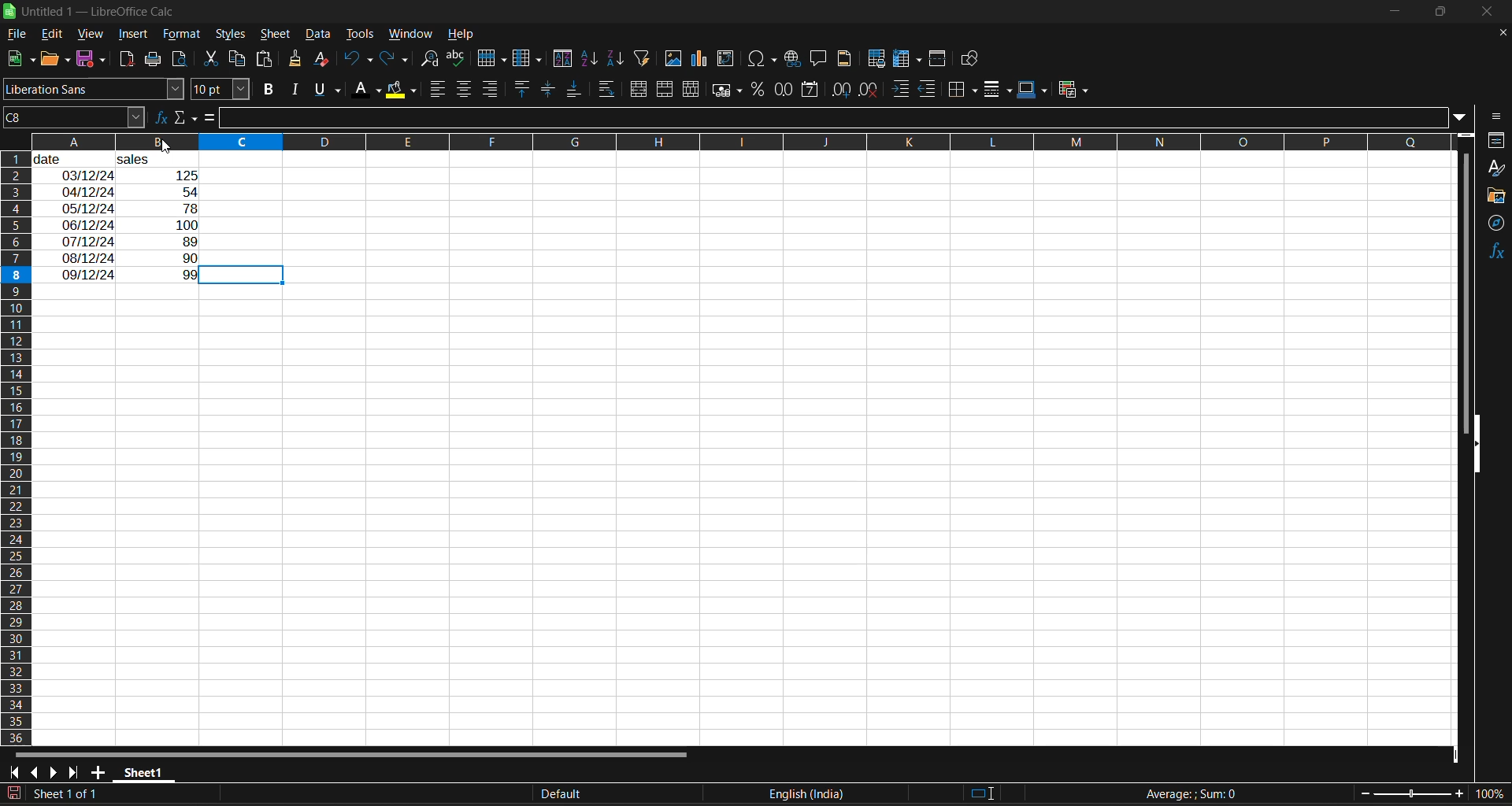  What do you see at coordinates (409, 35) in the screenshot?
I see `window` at bounding box center [409, 35].